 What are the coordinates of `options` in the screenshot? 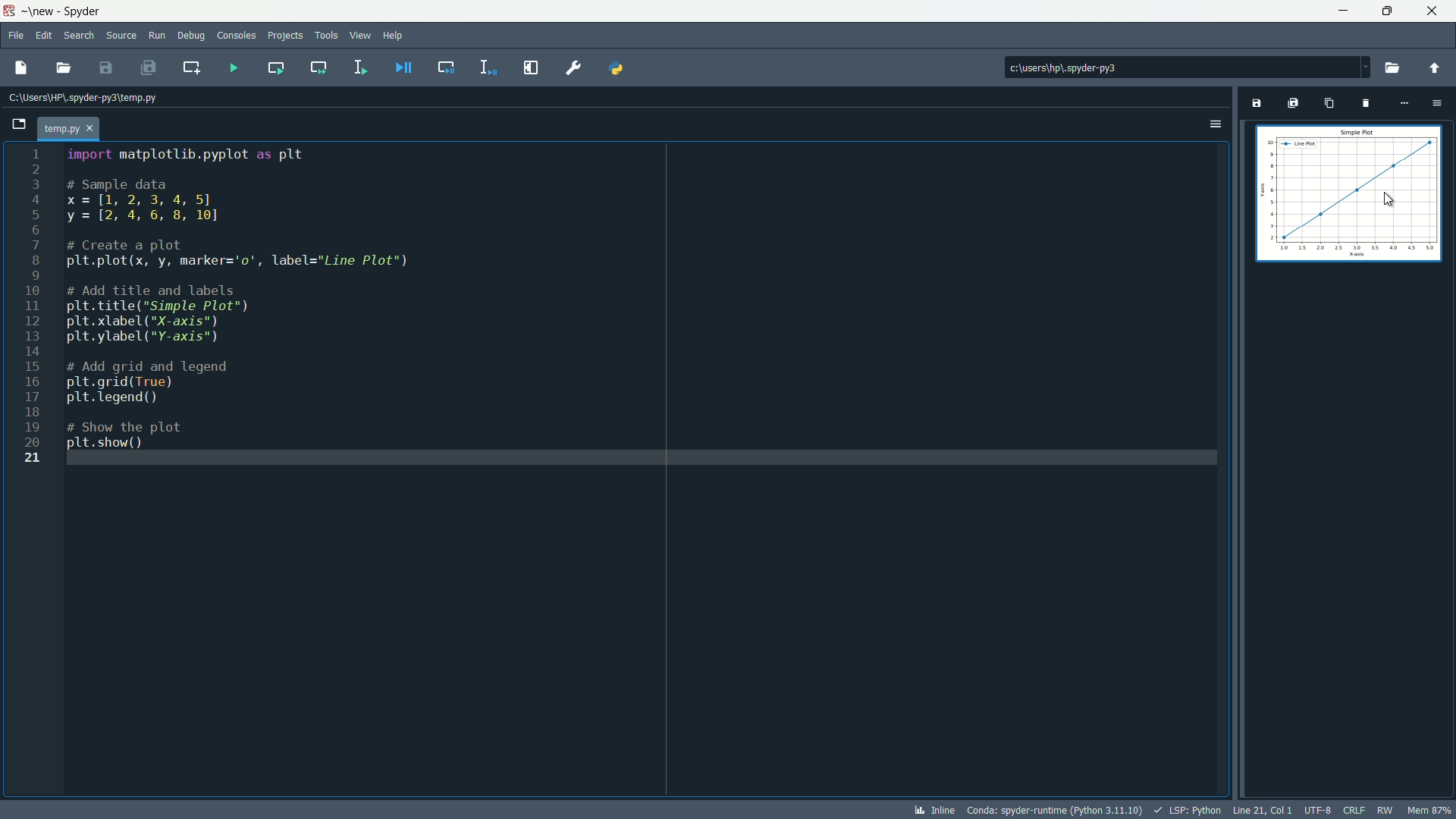 It's located at (1437, 103).